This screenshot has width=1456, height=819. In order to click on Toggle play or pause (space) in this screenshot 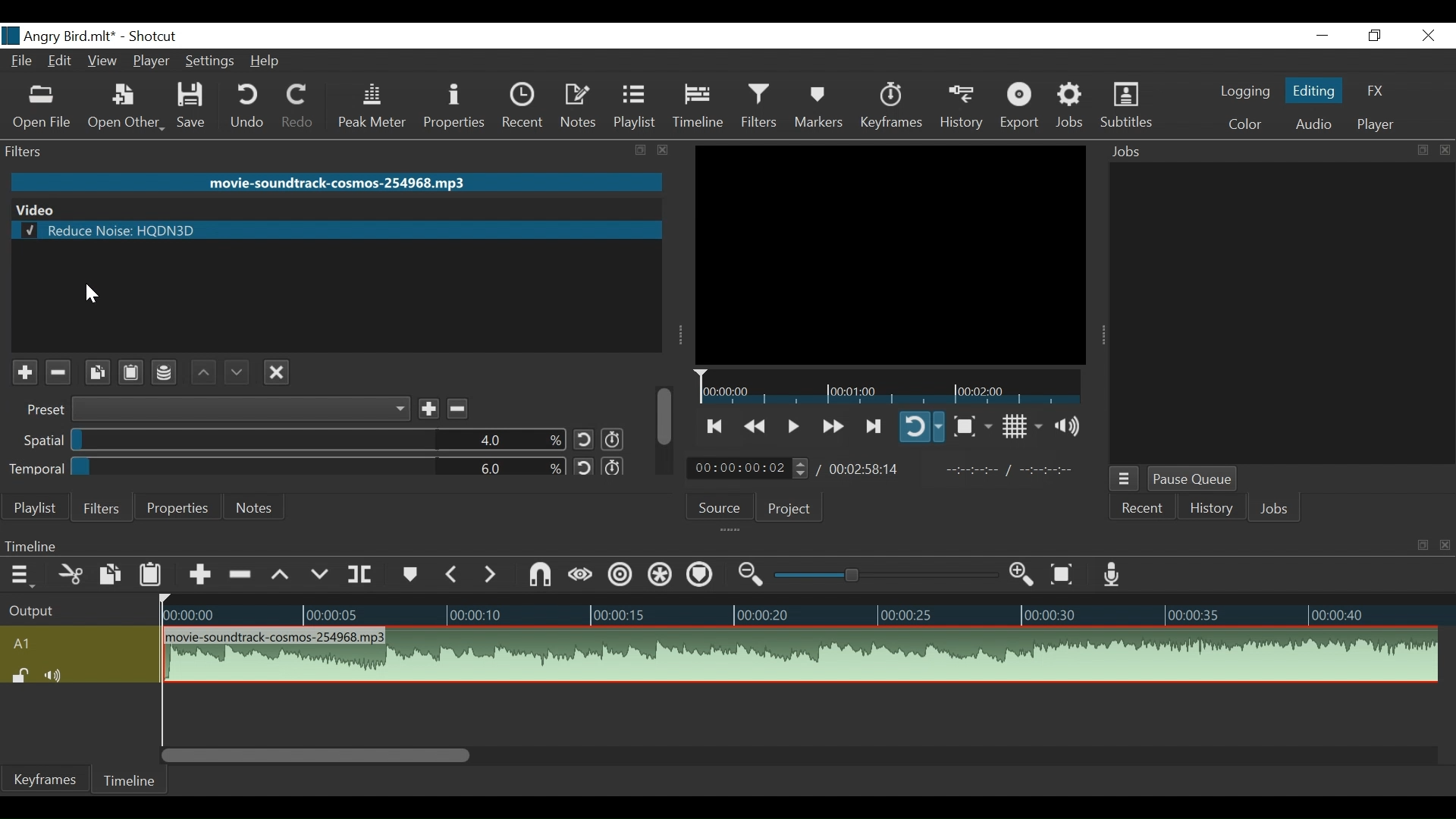, I will do `click(792, 423)`.